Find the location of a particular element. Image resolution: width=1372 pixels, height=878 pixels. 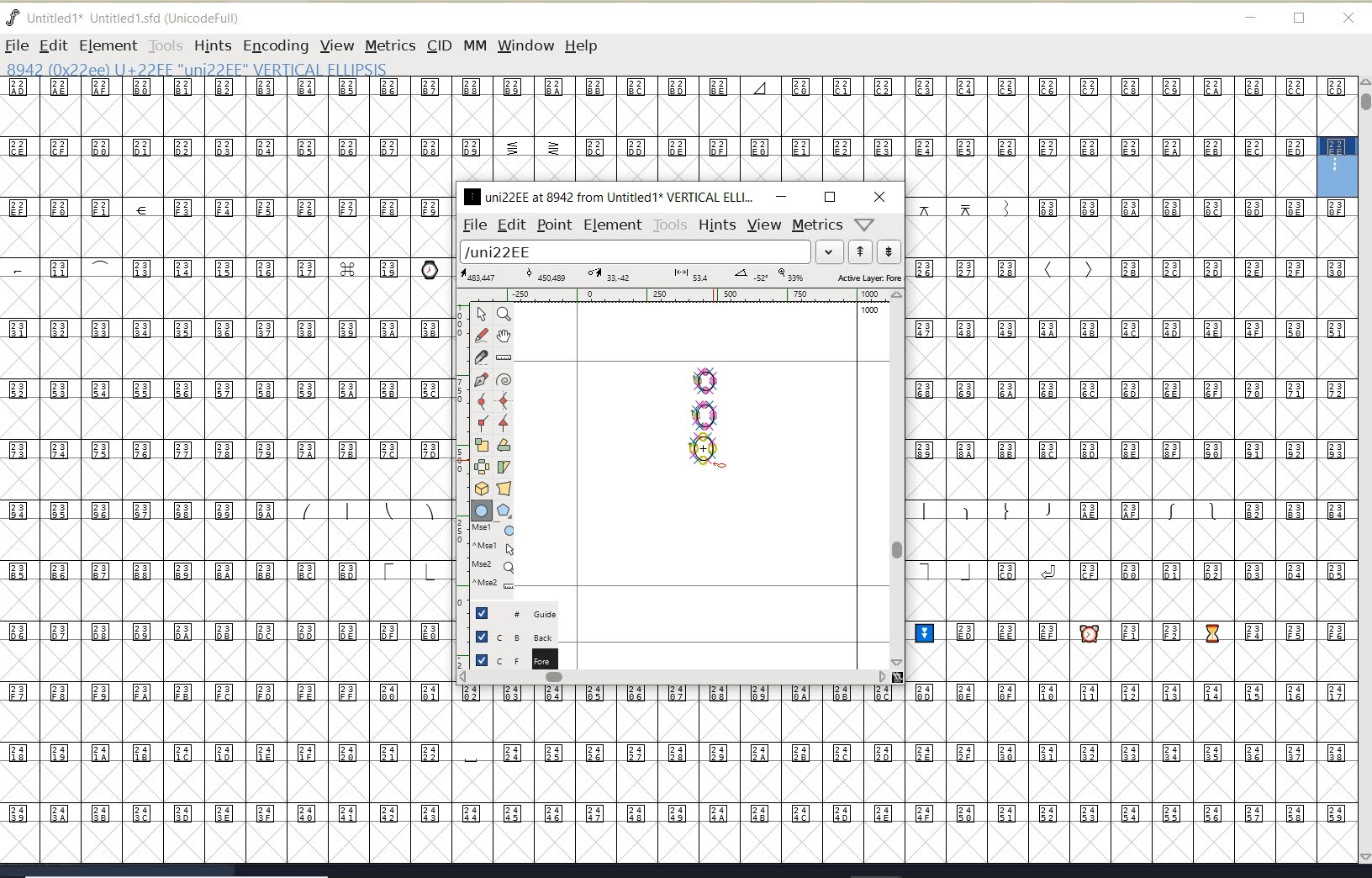

add a point, then drag out its control points is located at coordinates (481, 378).